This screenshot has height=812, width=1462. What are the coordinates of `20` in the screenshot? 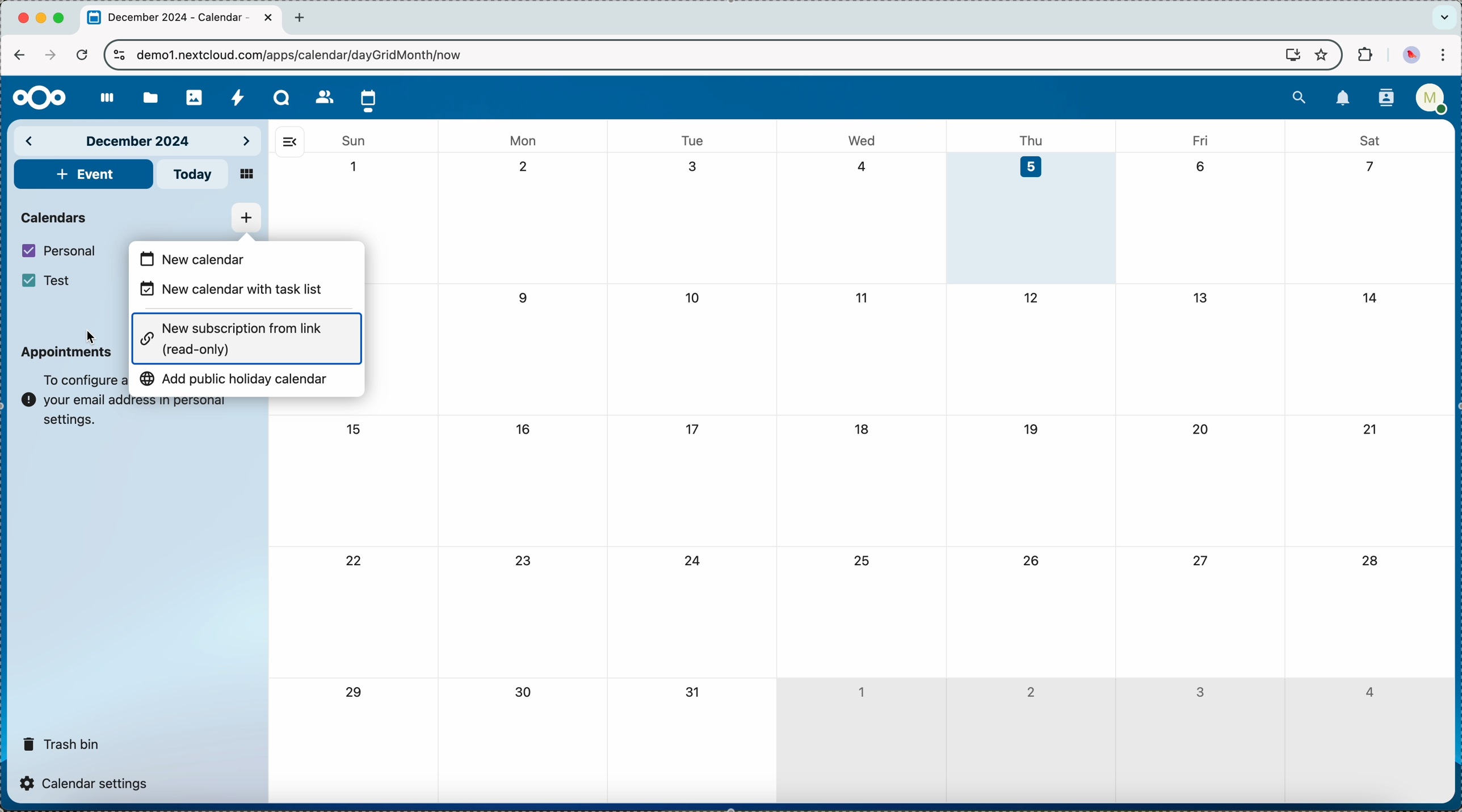 It's located at (1201, 429).